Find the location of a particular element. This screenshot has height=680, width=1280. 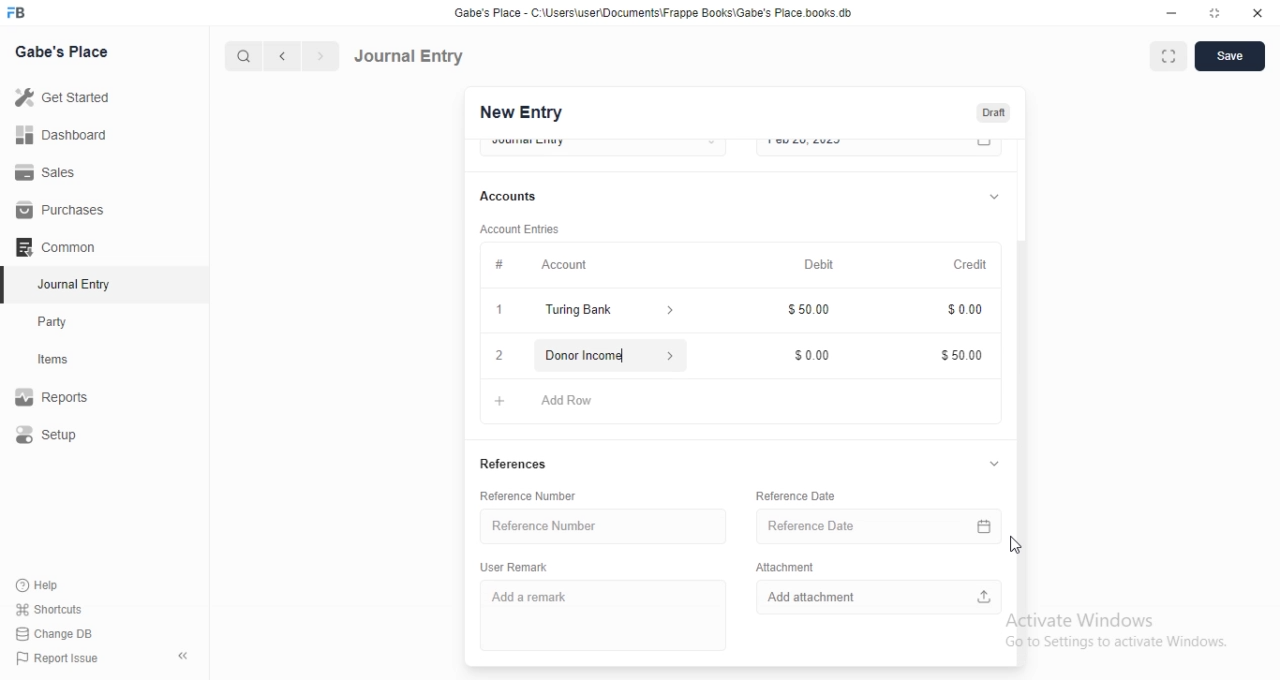

‘Account Entries. is located at coordinates (522, 232).